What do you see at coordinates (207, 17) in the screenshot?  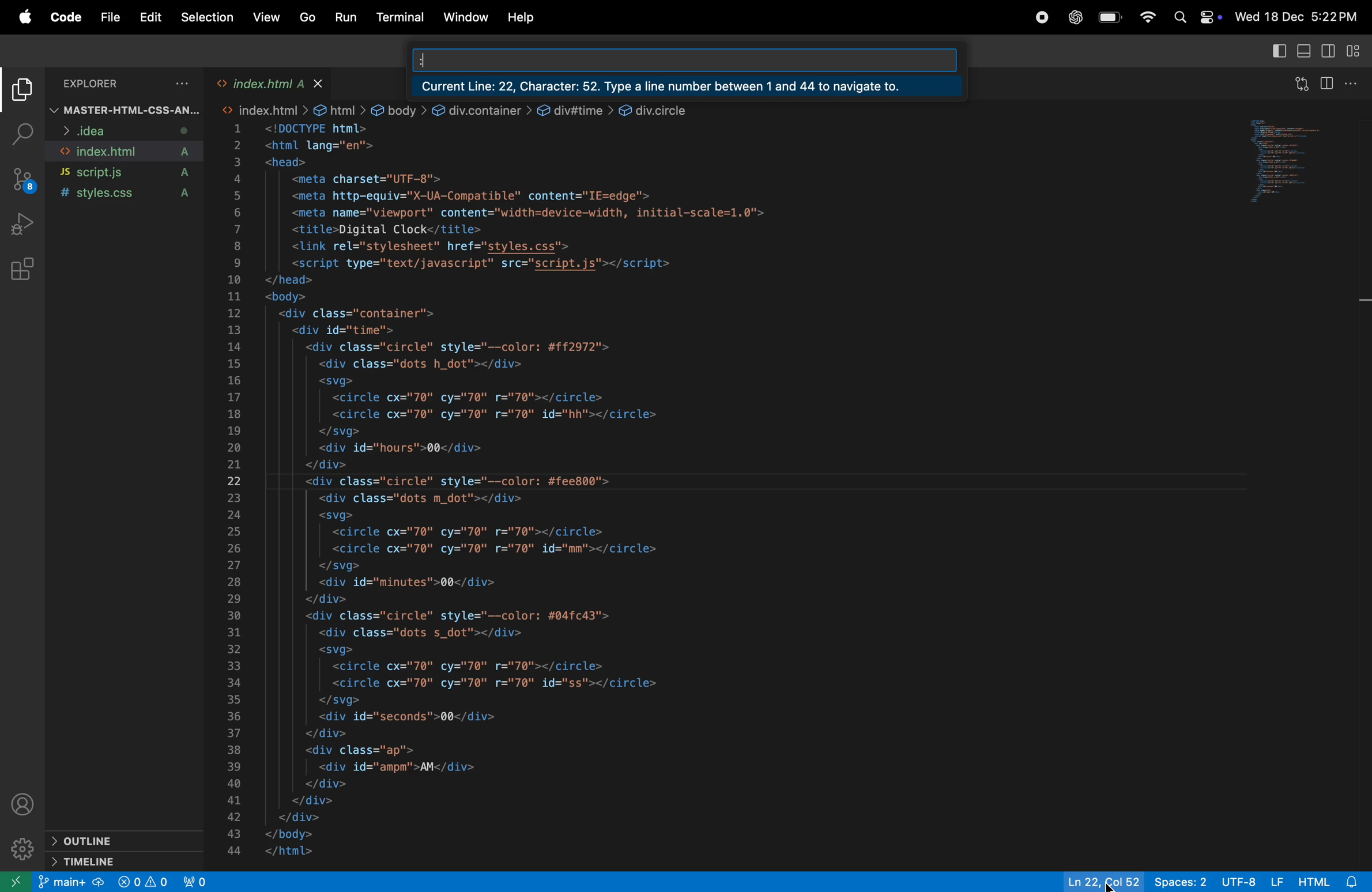 I see `selection` at bounding box center [207, 17].